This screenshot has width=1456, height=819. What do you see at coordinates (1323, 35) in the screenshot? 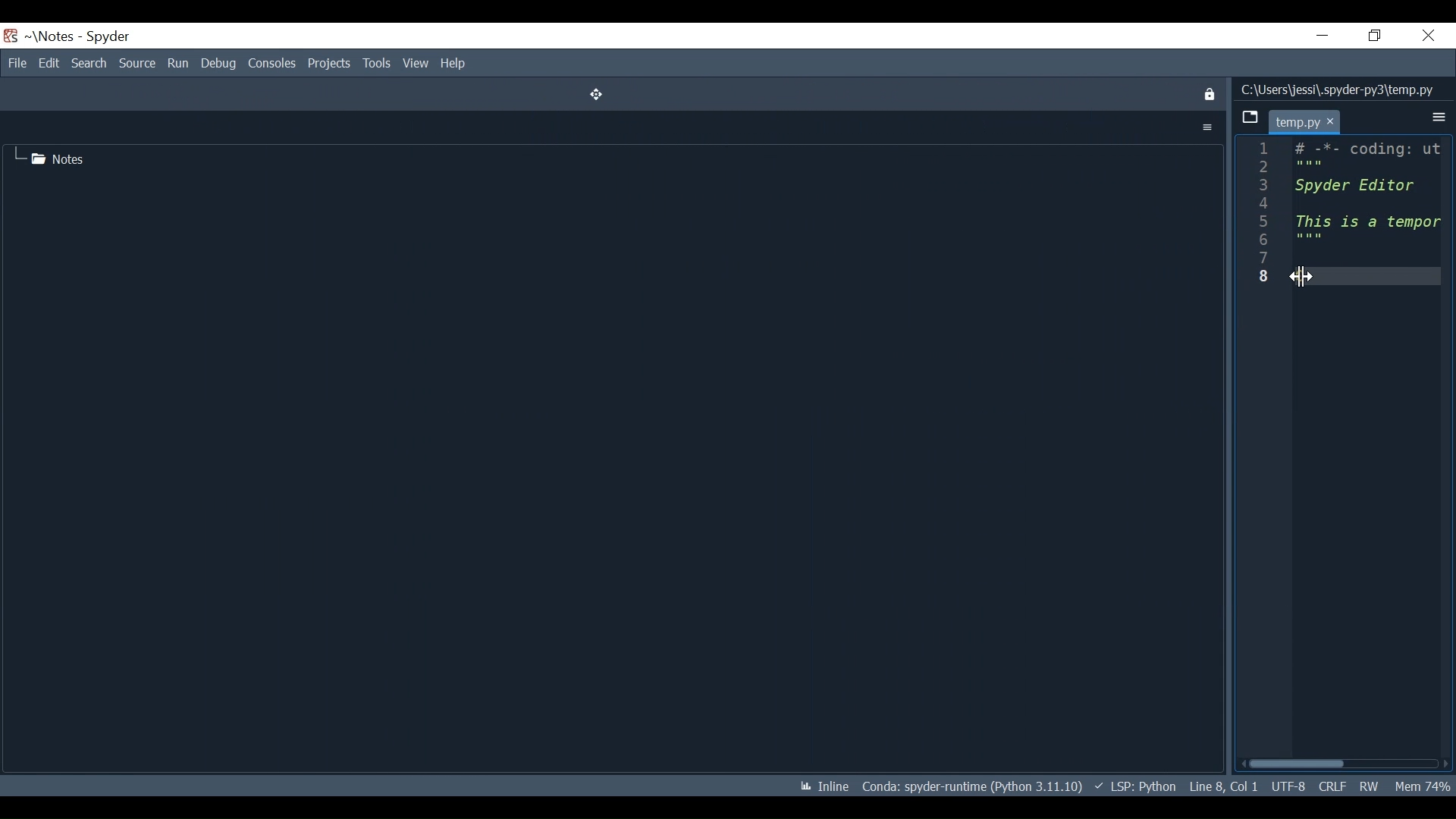
I see `Minimize` at bounding box center [1323, 35].